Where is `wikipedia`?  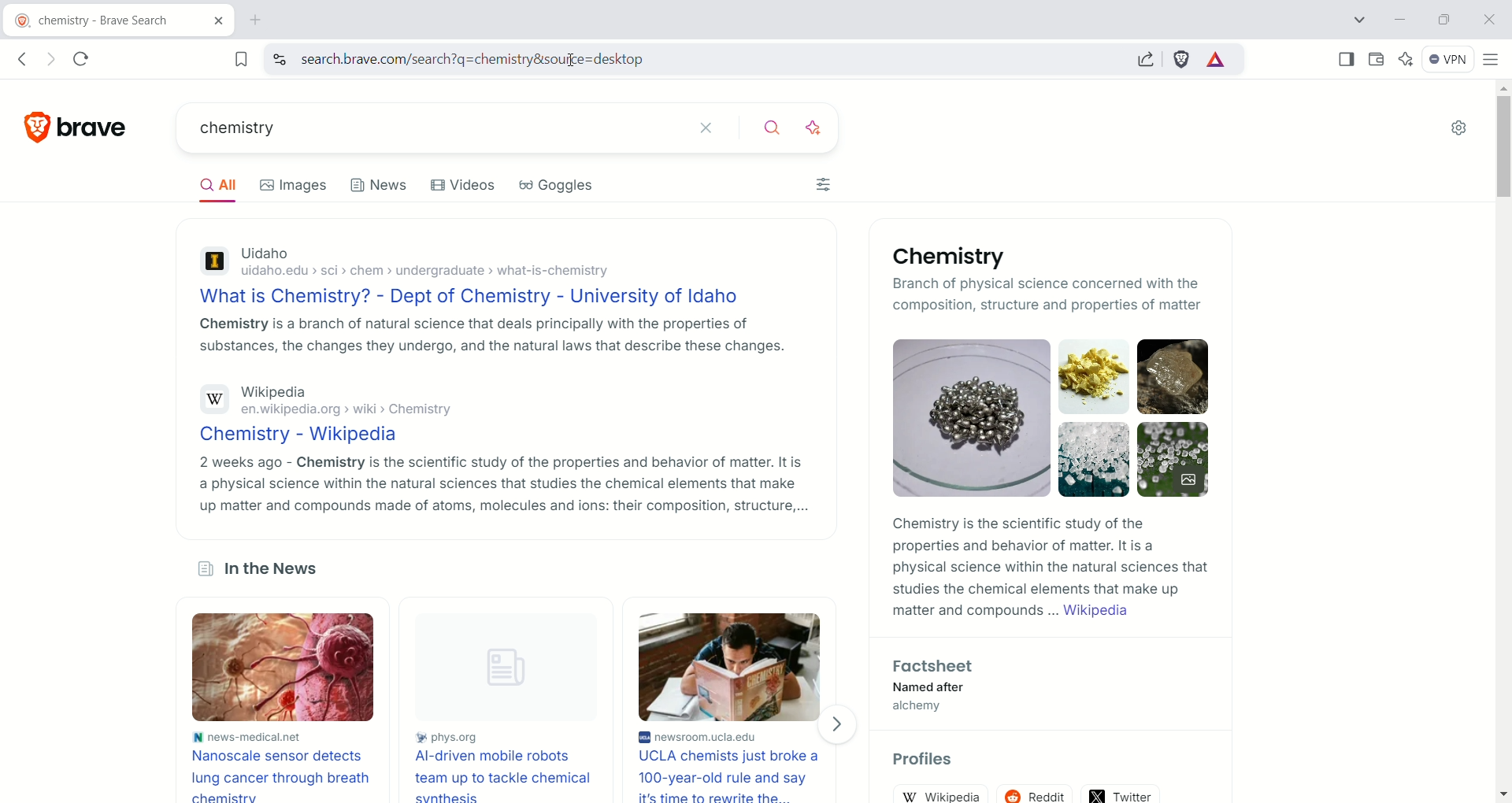
wikipedia is located at coordinates (939, 793).